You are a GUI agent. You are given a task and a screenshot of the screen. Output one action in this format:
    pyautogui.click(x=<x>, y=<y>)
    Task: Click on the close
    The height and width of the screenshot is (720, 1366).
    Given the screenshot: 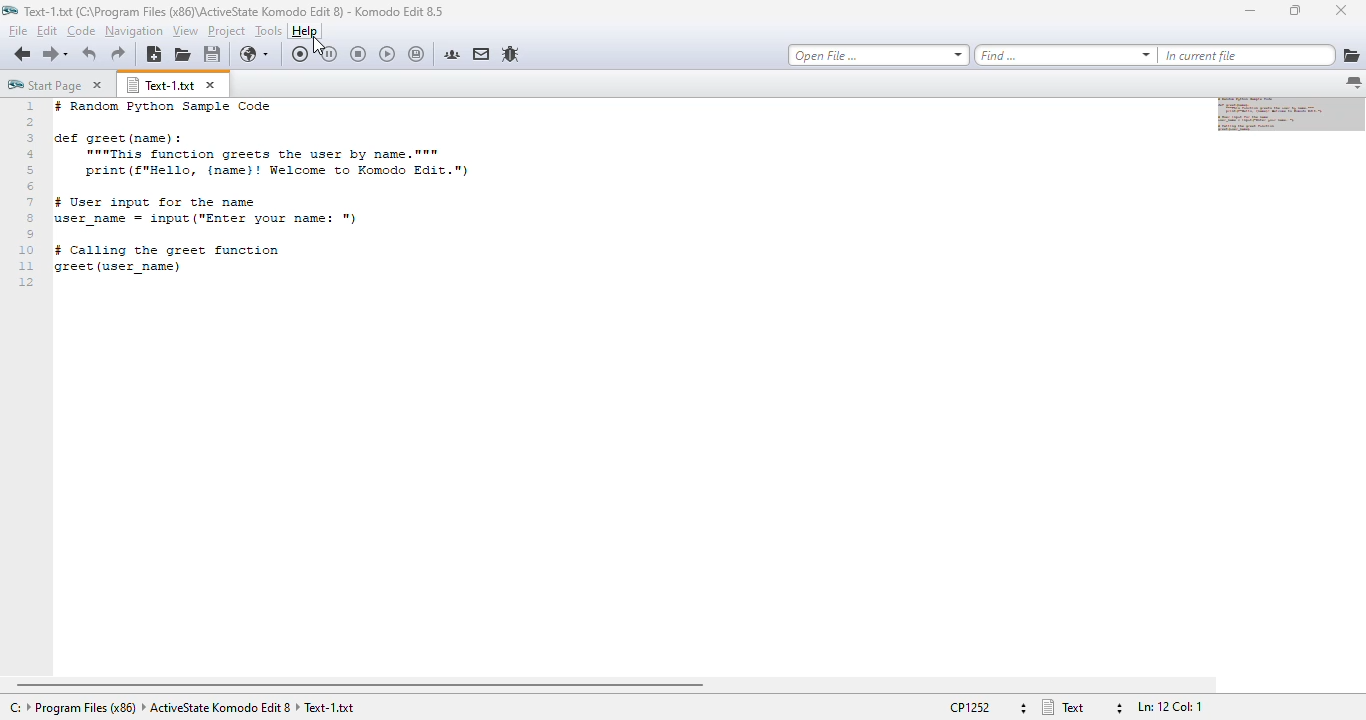 What is the action you would take?
    pyautogui.click(x=1341, y=10)
    